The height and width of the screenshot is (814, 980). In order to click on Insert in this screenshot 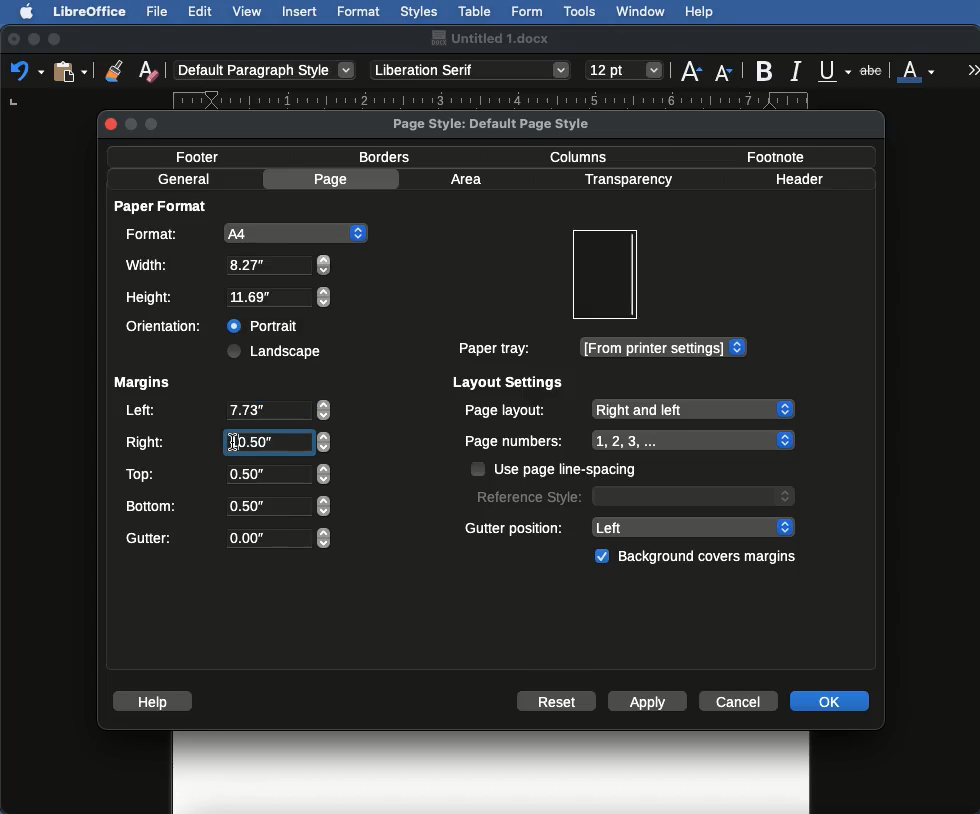, I will do `click(300, 11)`.